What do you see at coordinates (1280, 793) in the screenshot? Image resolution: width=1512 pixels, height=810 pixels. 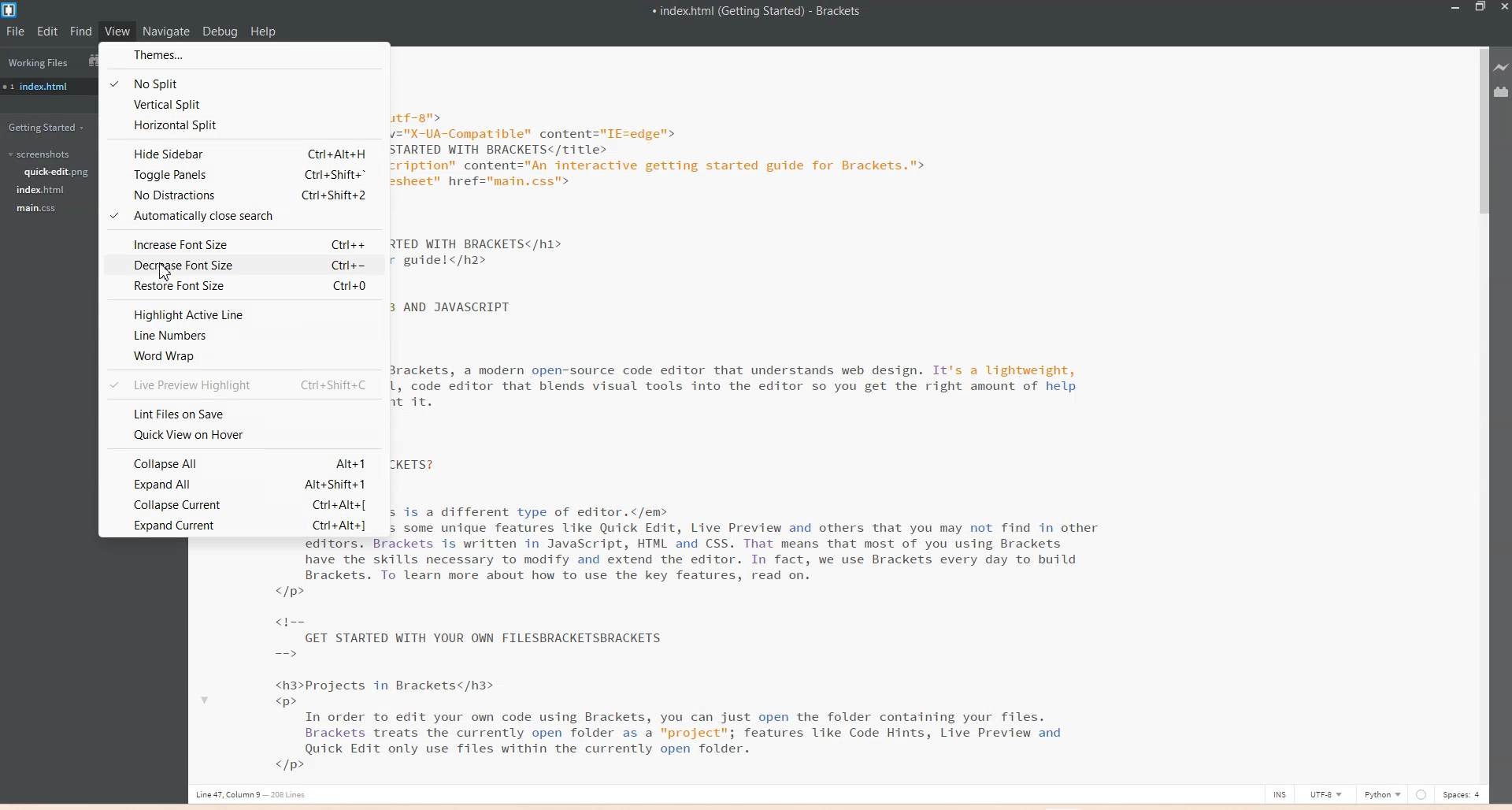 I see `INS` at bounding box center [1280, 793].